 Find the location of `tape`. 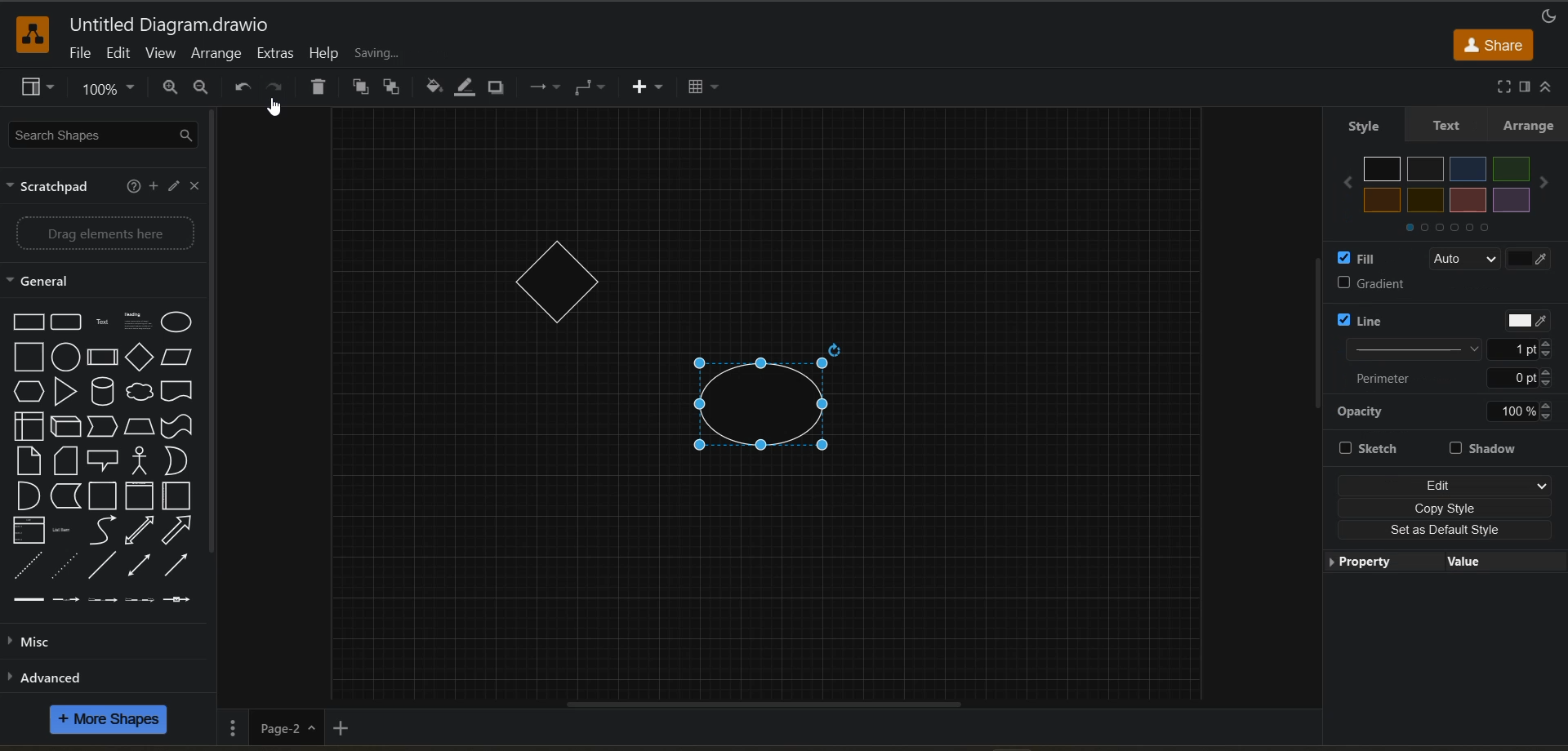

tape is located at coordinates (175, 426).